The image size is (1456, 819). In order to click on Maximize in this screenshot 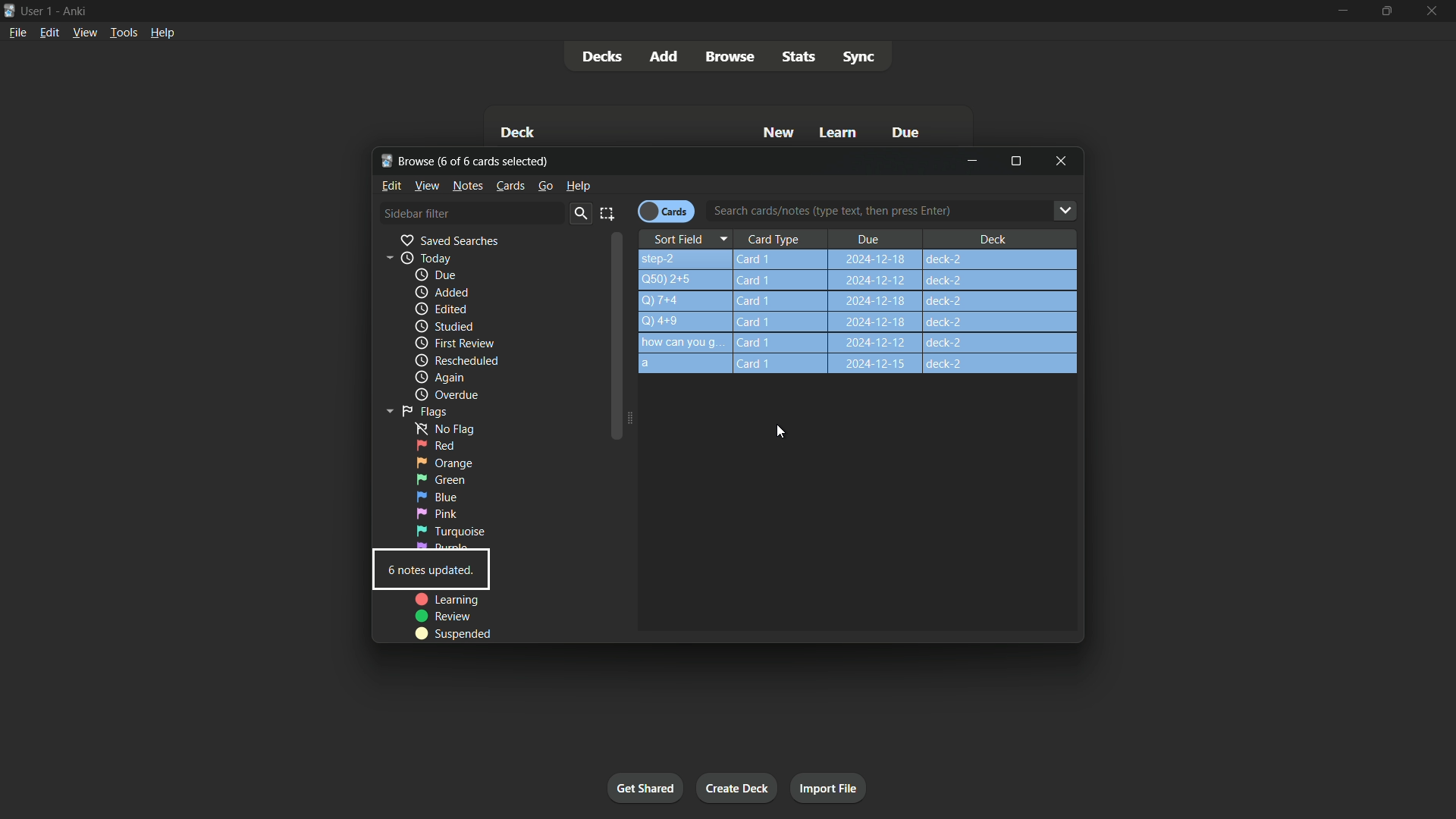, I will do `click(1016, 161)`.